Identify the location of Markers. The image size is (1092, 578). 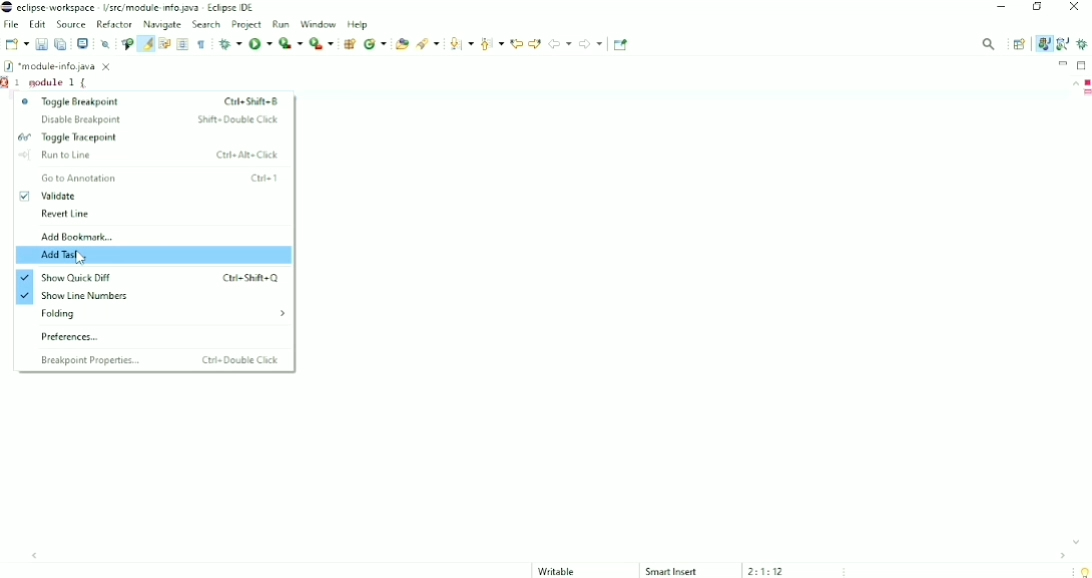
(1086, 94).